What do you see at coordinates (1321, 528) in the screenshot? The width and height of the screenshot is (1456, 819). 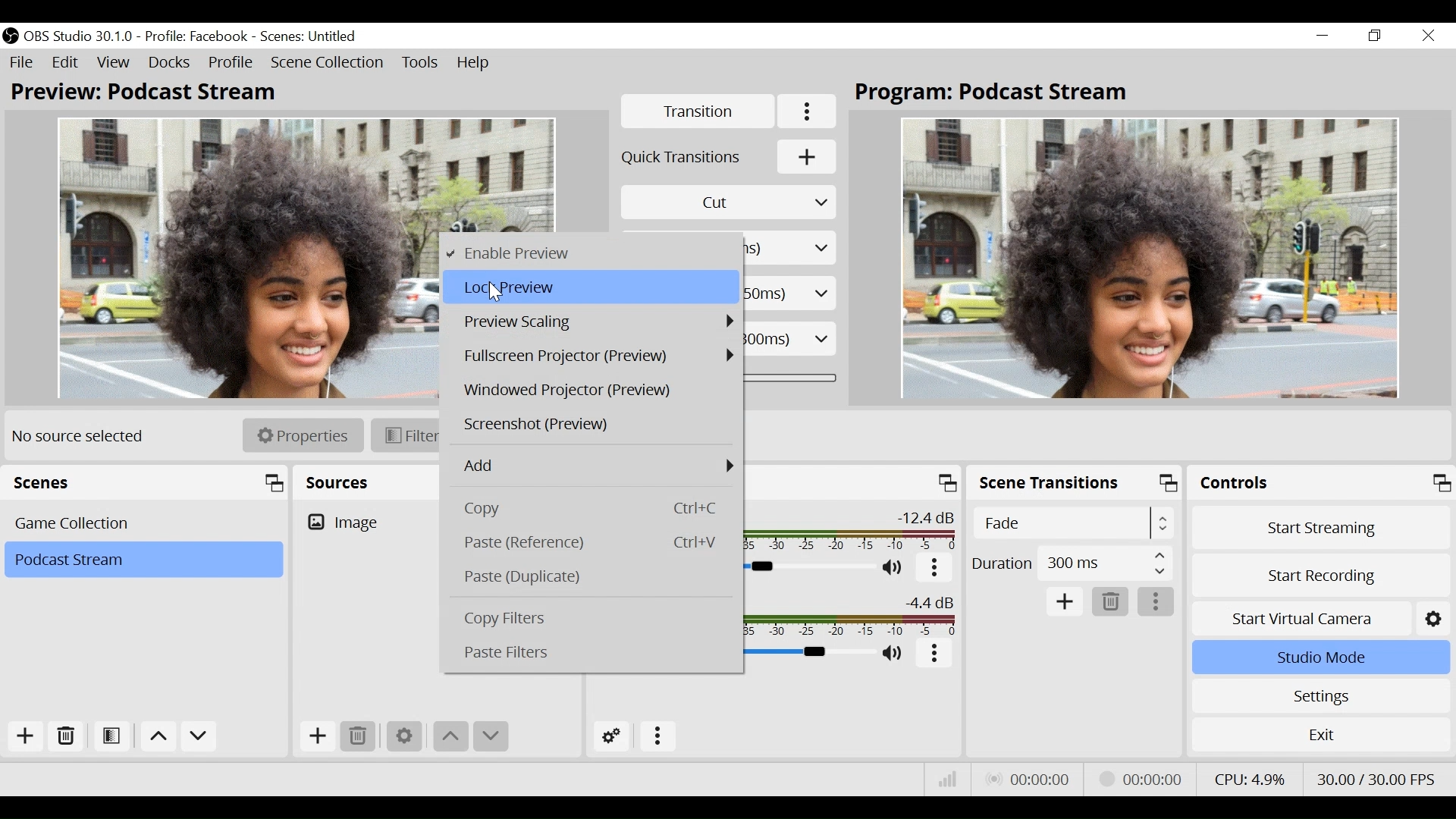 I see `Start Streaming` at bounding box center [1321, 528].